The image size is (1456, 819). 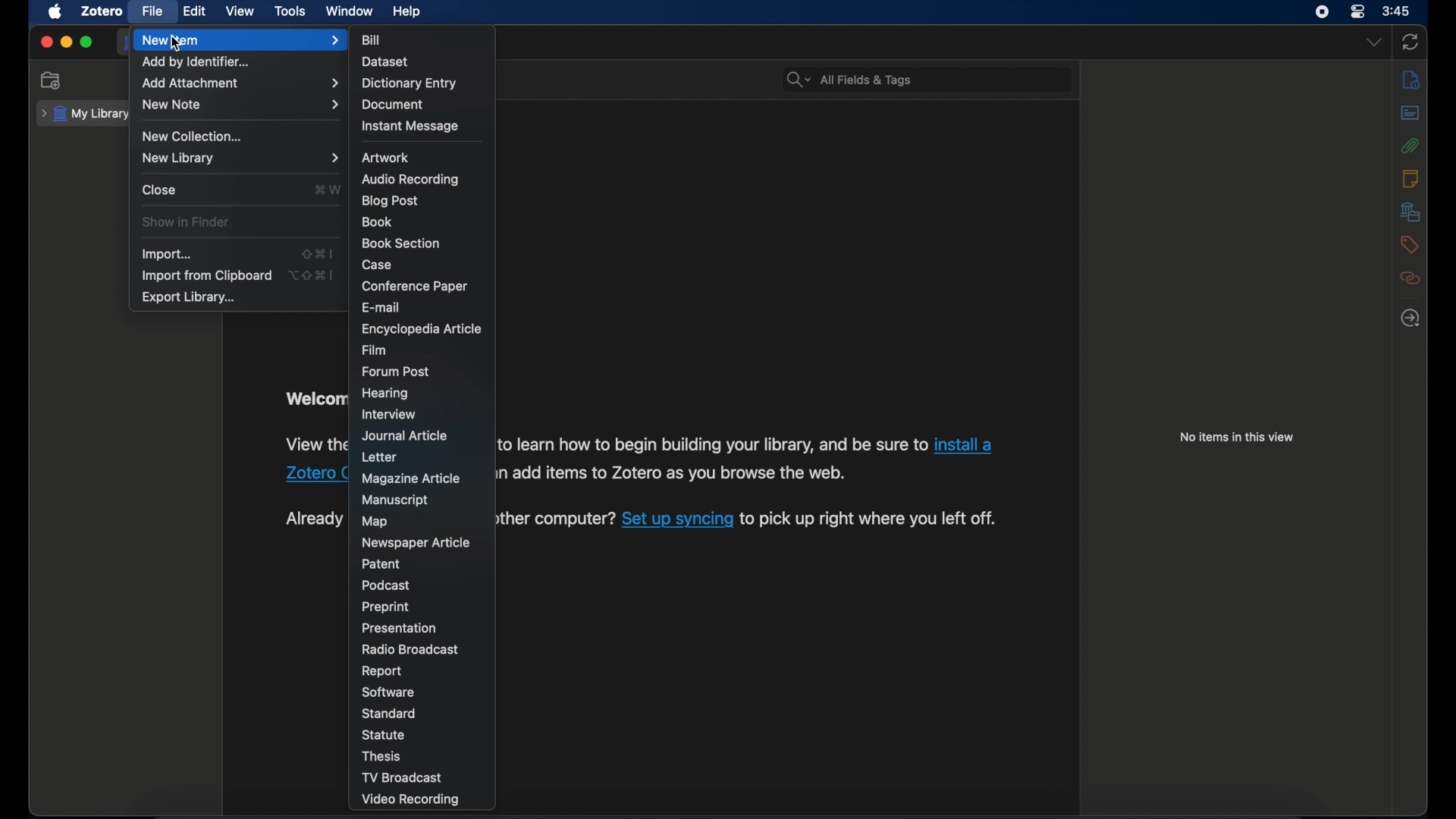 I want to click on zotero, so click(x=100, y=11).